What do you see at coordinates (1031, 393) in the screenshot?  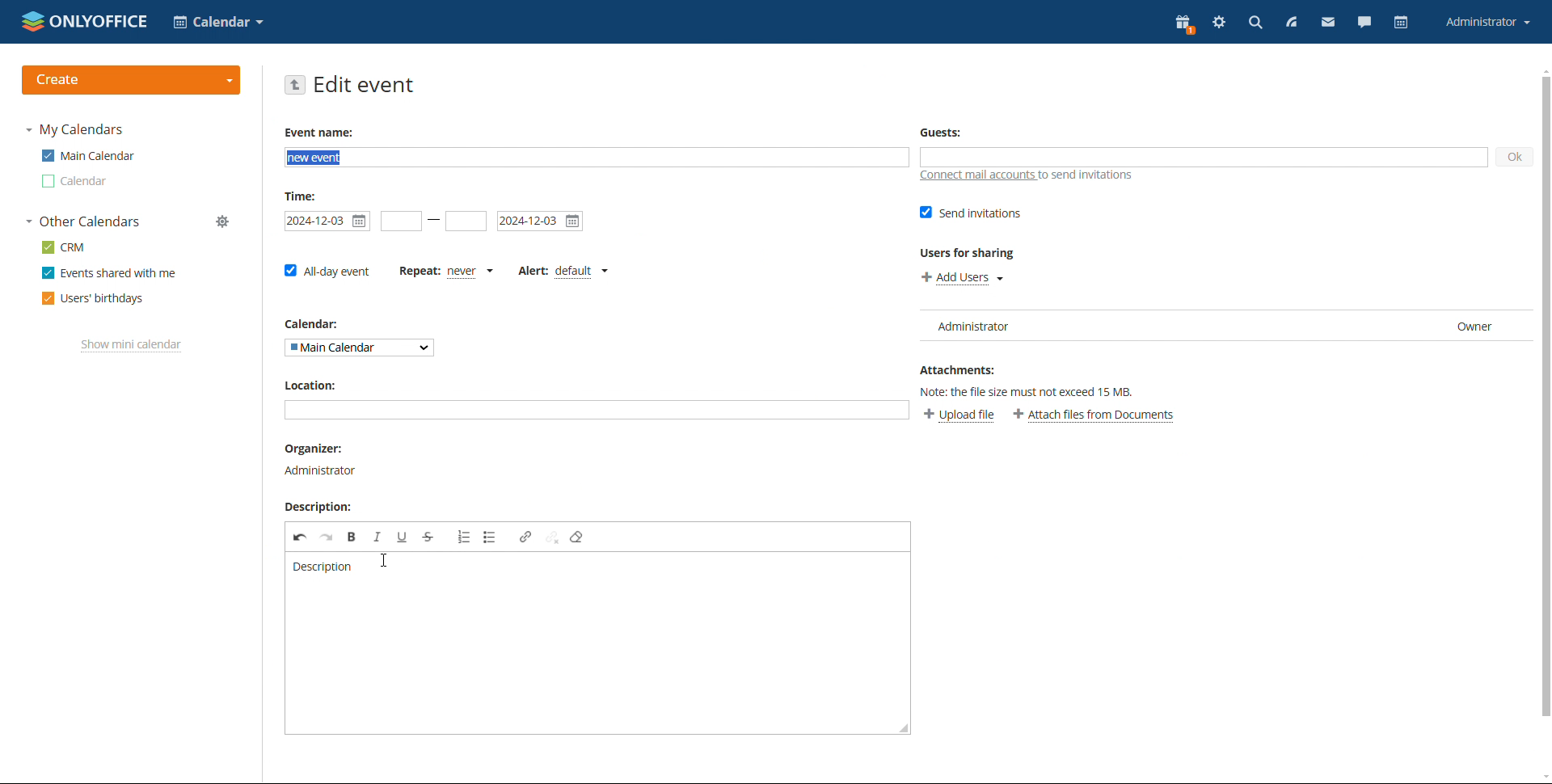 I see `Note: the file size must not exceed 15 MB.` at bounding box center [1031, 393].